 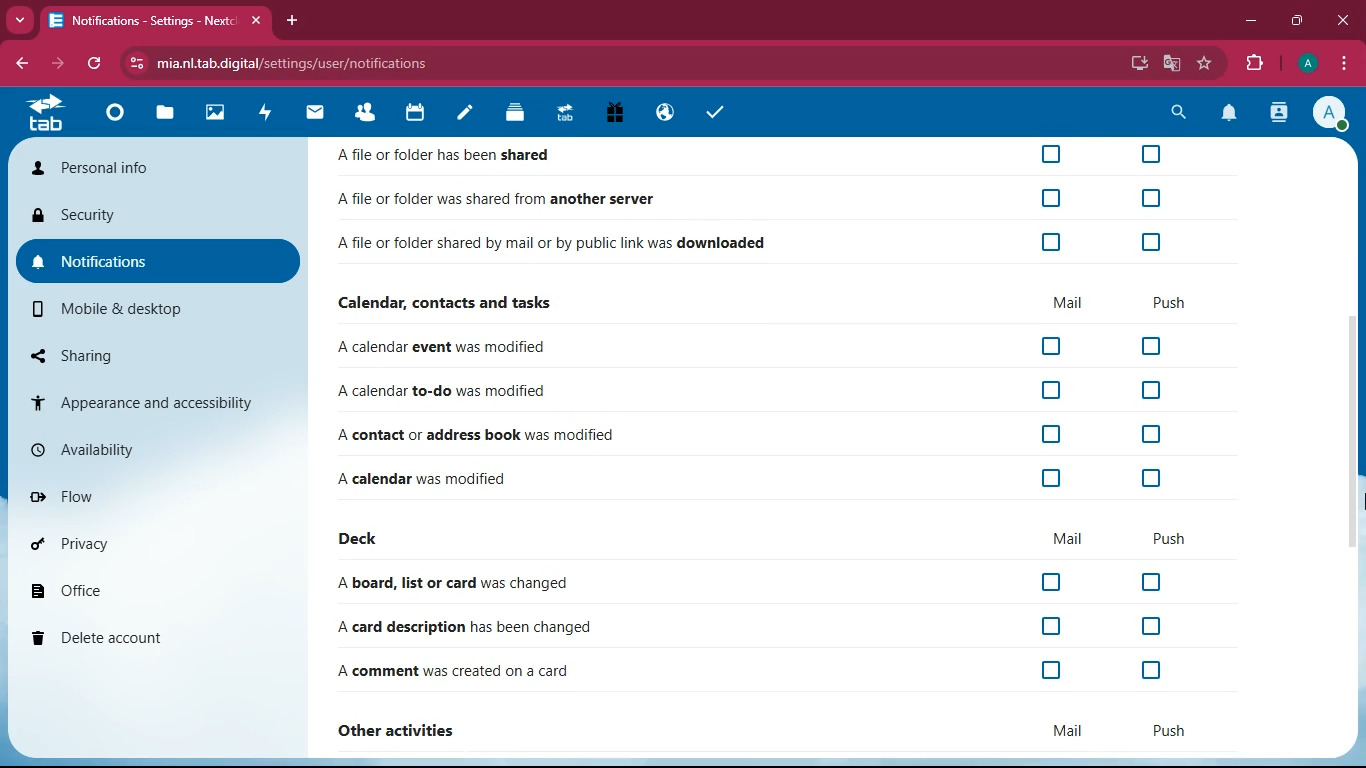 I want to click on Account, so click(x=1306, y=64).